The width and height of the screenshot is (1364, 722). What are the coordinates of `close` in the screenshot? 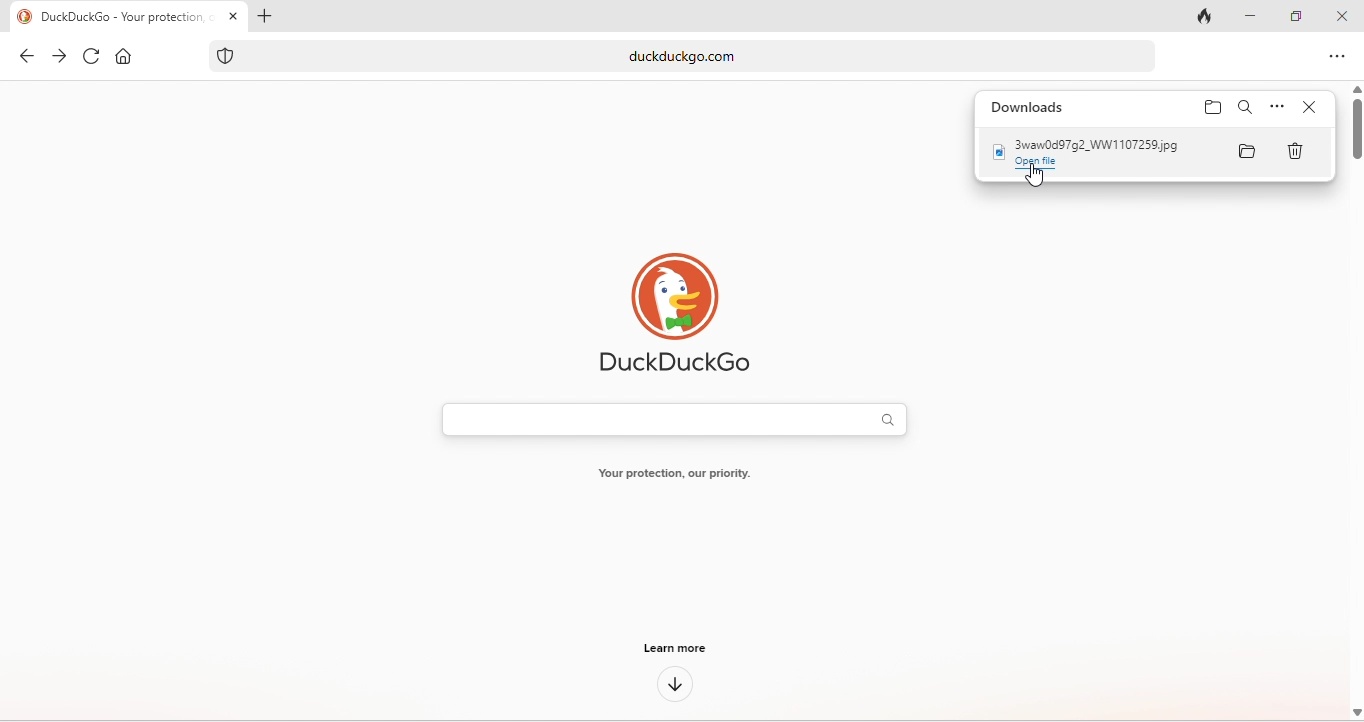 It's located at (1343, 13).